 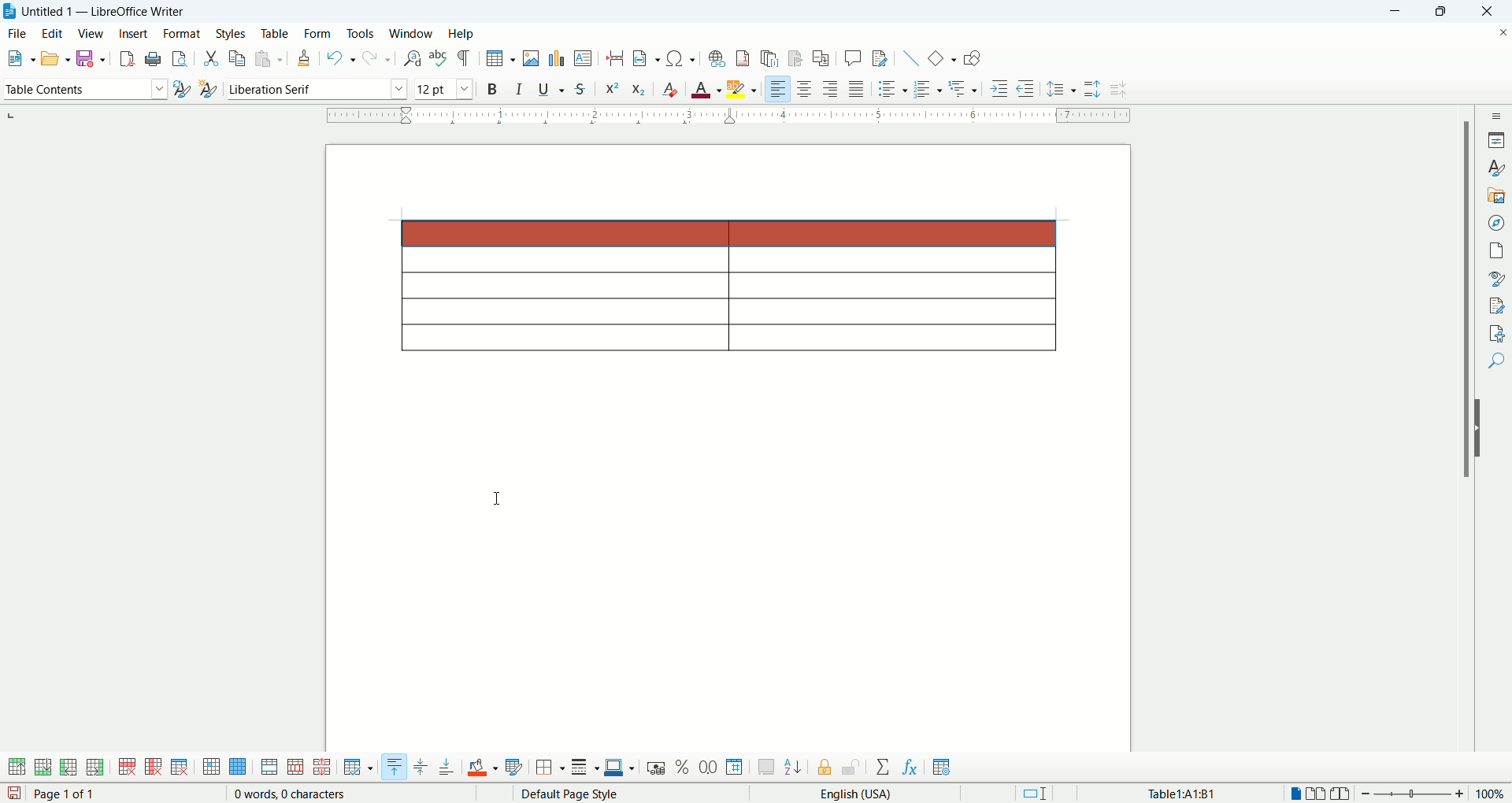 What do you see at coordinates (461, 35) in the screenshot?
I see `help` at bounding box center [461, 35].